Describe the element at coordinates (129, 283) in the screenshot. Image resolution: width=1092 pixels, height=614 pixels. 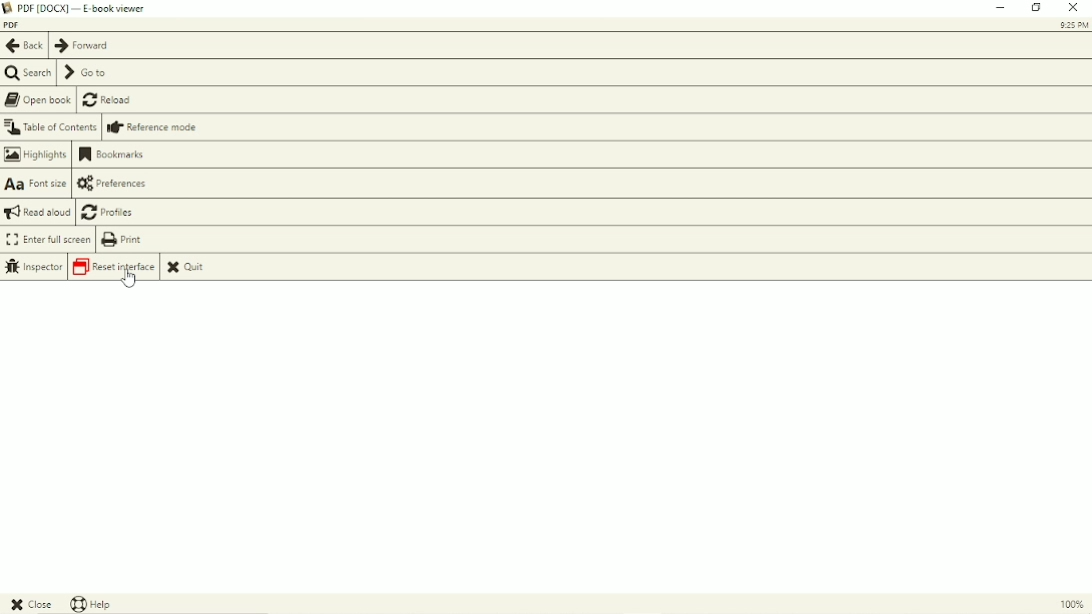
I see `Cursor` at that location.